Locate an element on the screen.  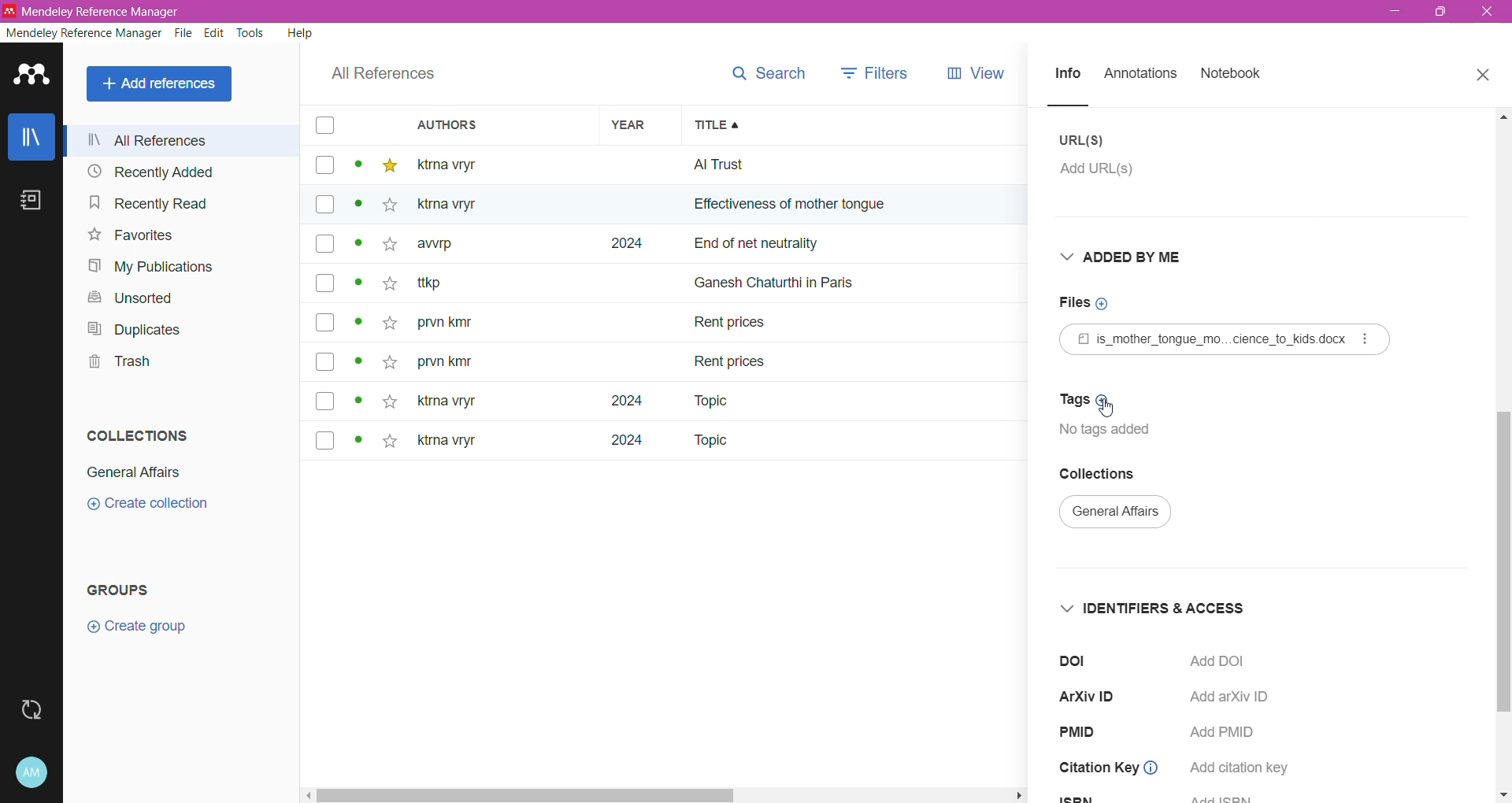
star is located at coordinates (387, 287).